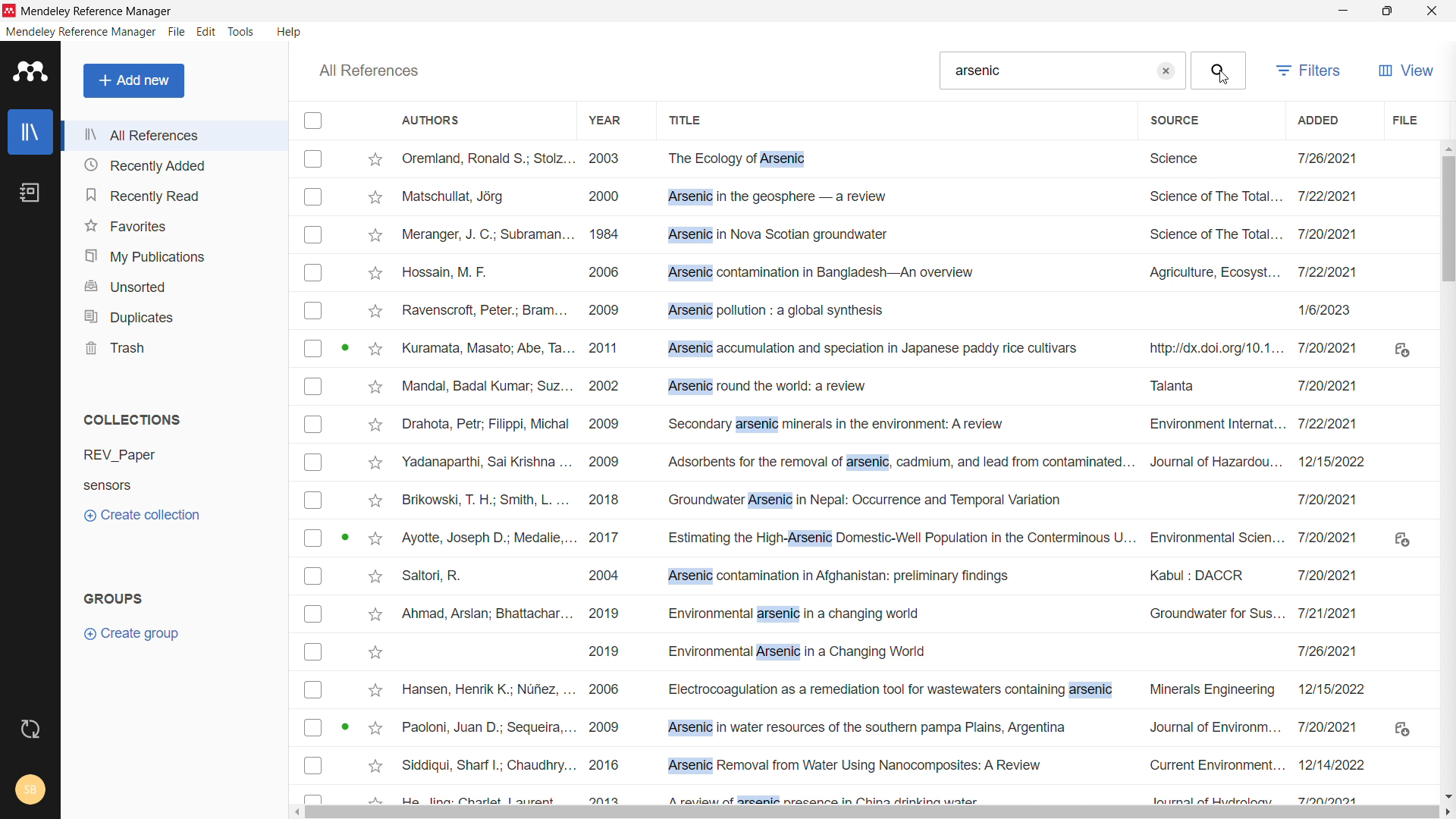 Image resolution: width=1456 pixels, height=819 pixels. What do you see at coordinates (864, 813) in the screenshot?
I see `horizontal scrollbar` at bounding box center [864, 813].